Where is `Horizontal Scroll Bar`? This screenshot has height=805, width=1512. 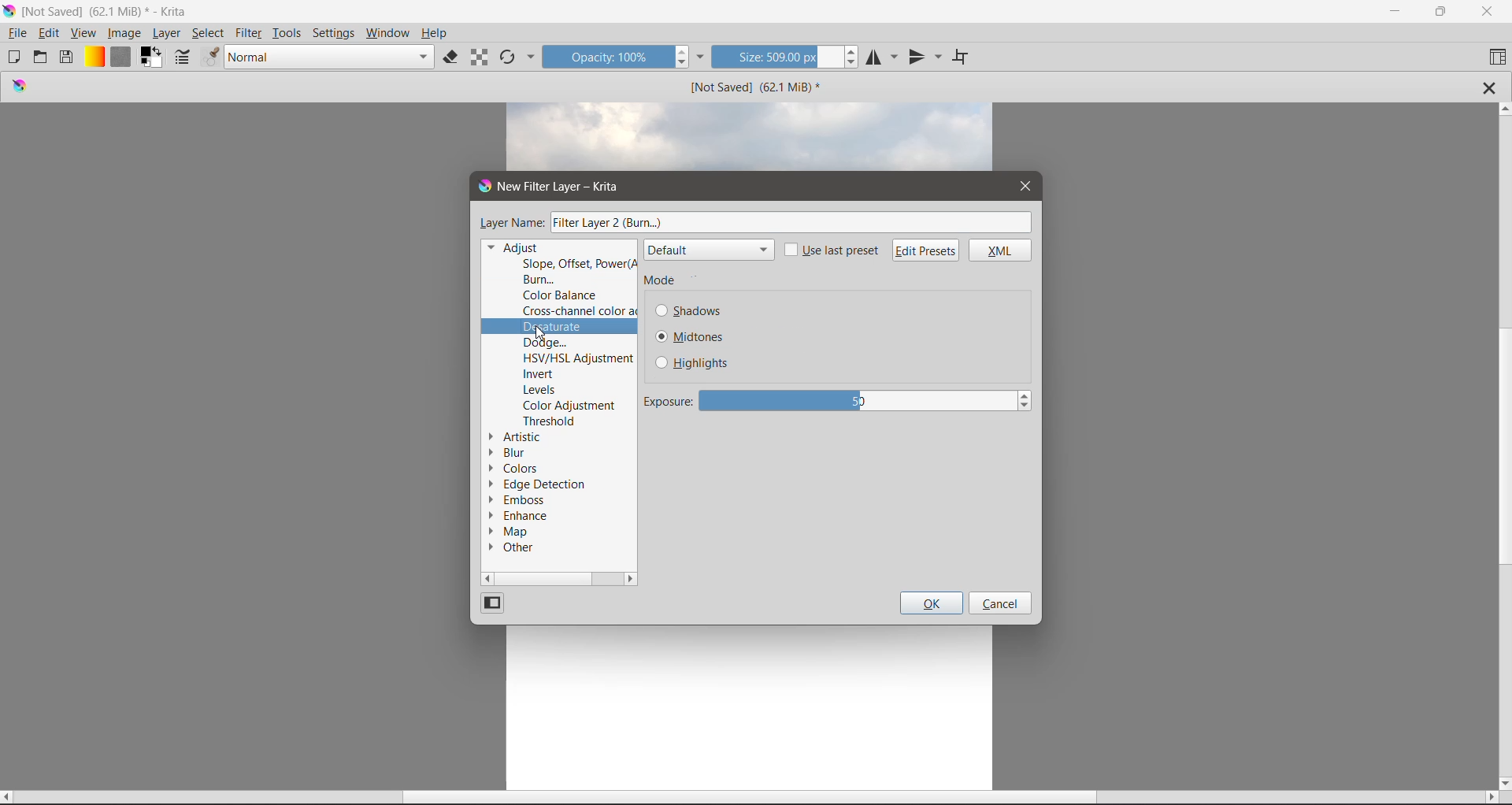 Horizontal Scroll Bar is located at coordinates (750, 798).